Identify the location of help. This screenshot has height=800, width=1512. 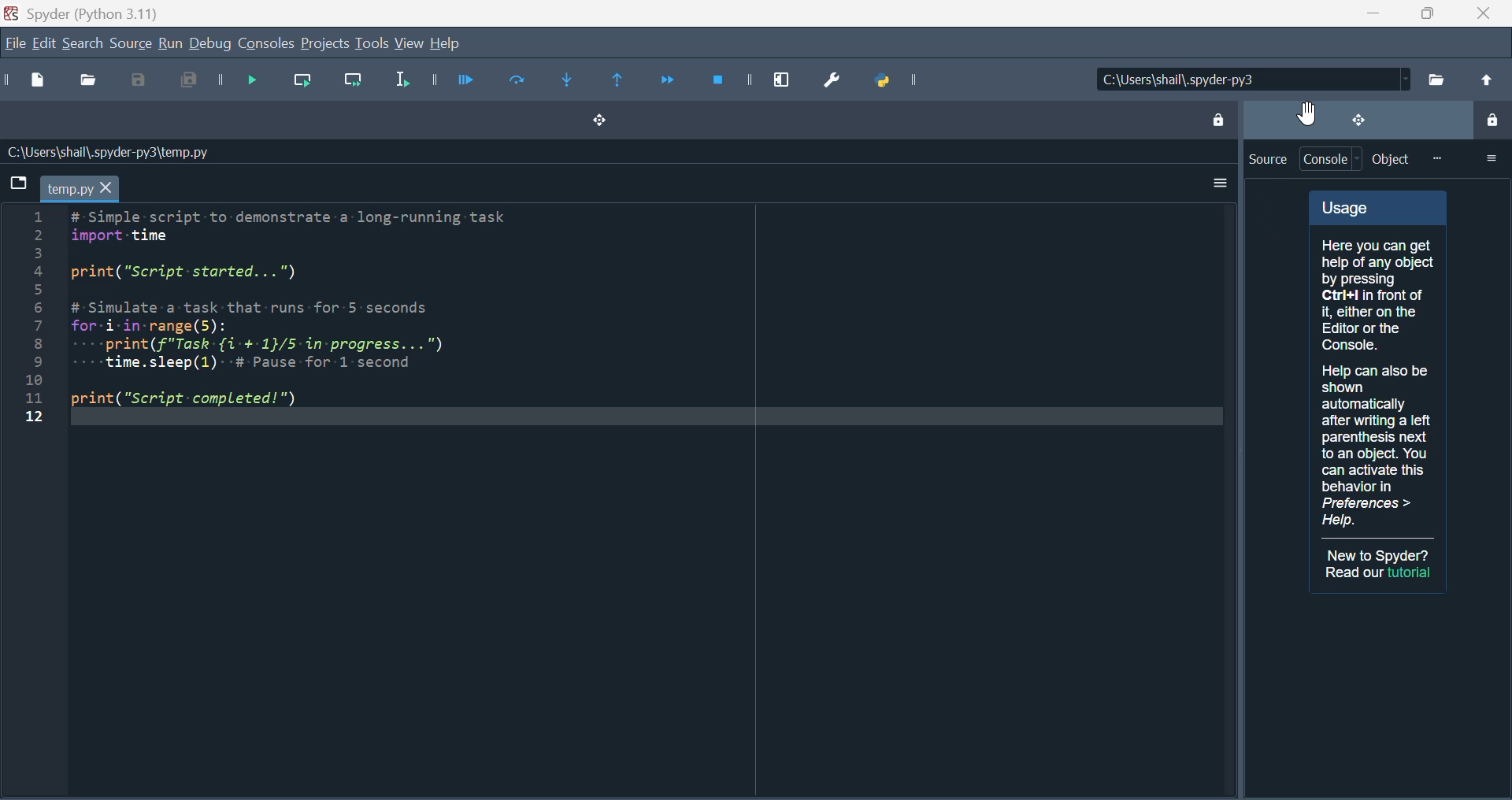
(445, 43).